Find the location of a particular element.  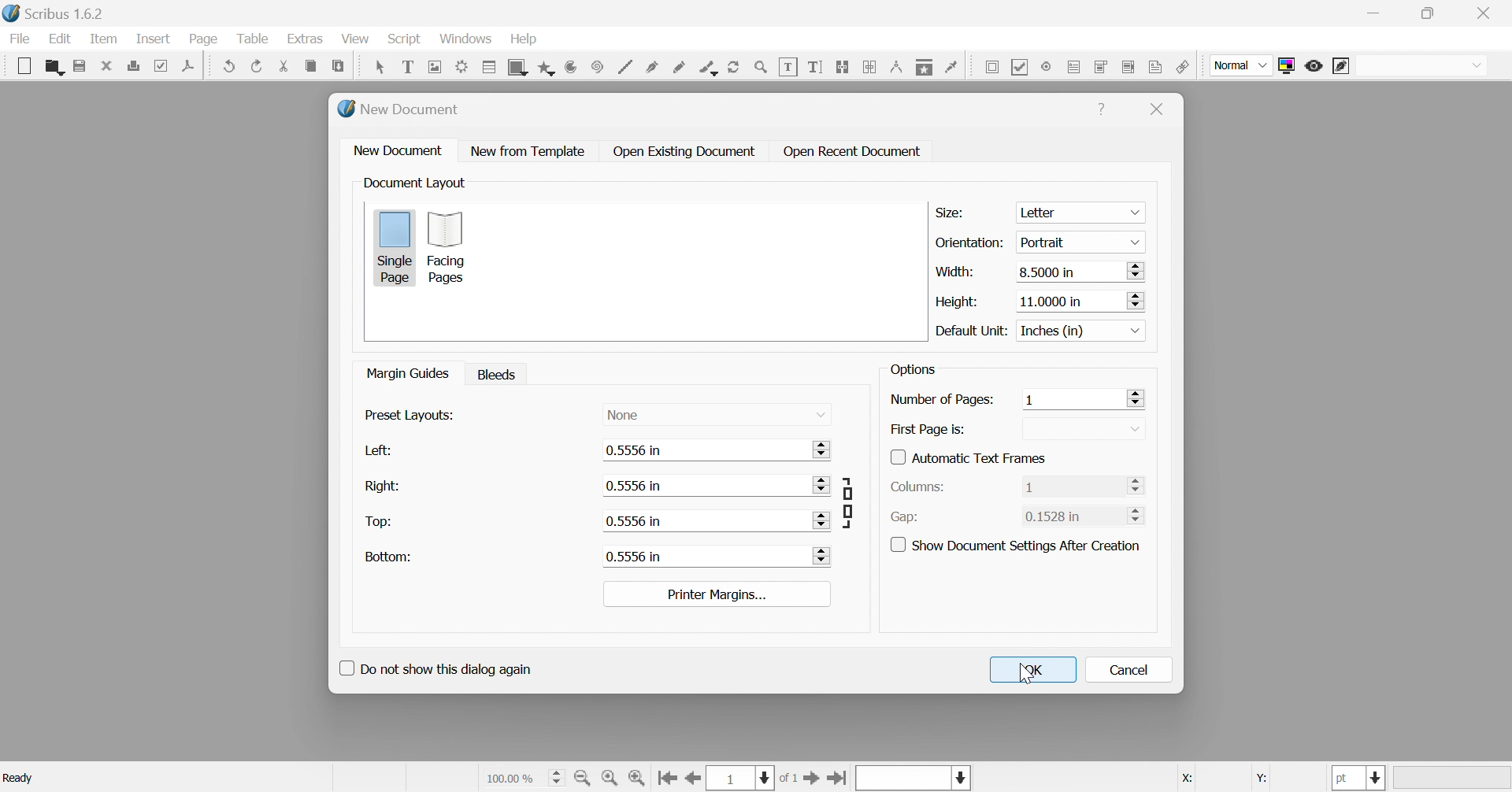

image frame is located at coordinates (437, 67).